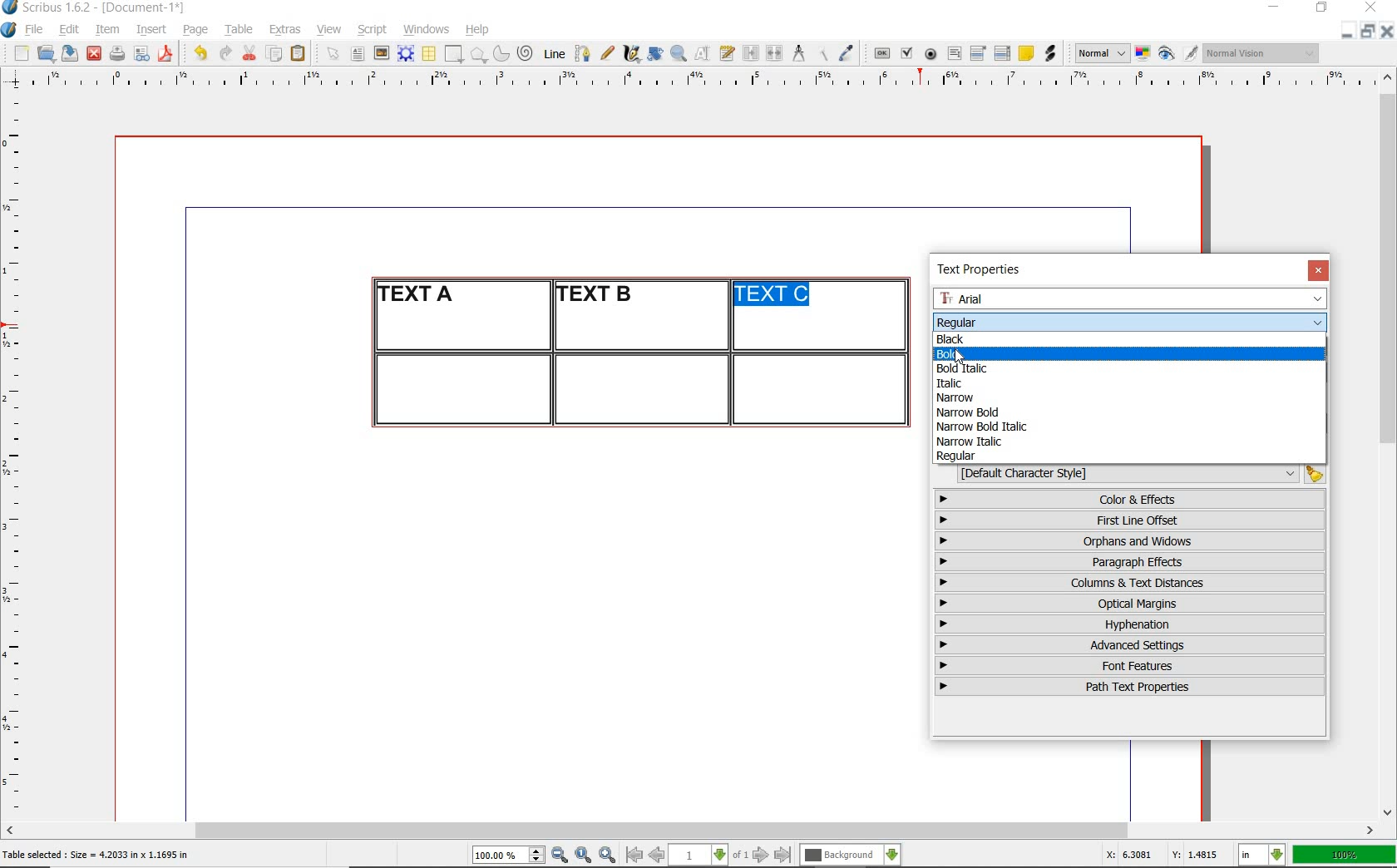 The width and height of the screenshot is (1397, 868). I want to click on close, so click(1318, 270).